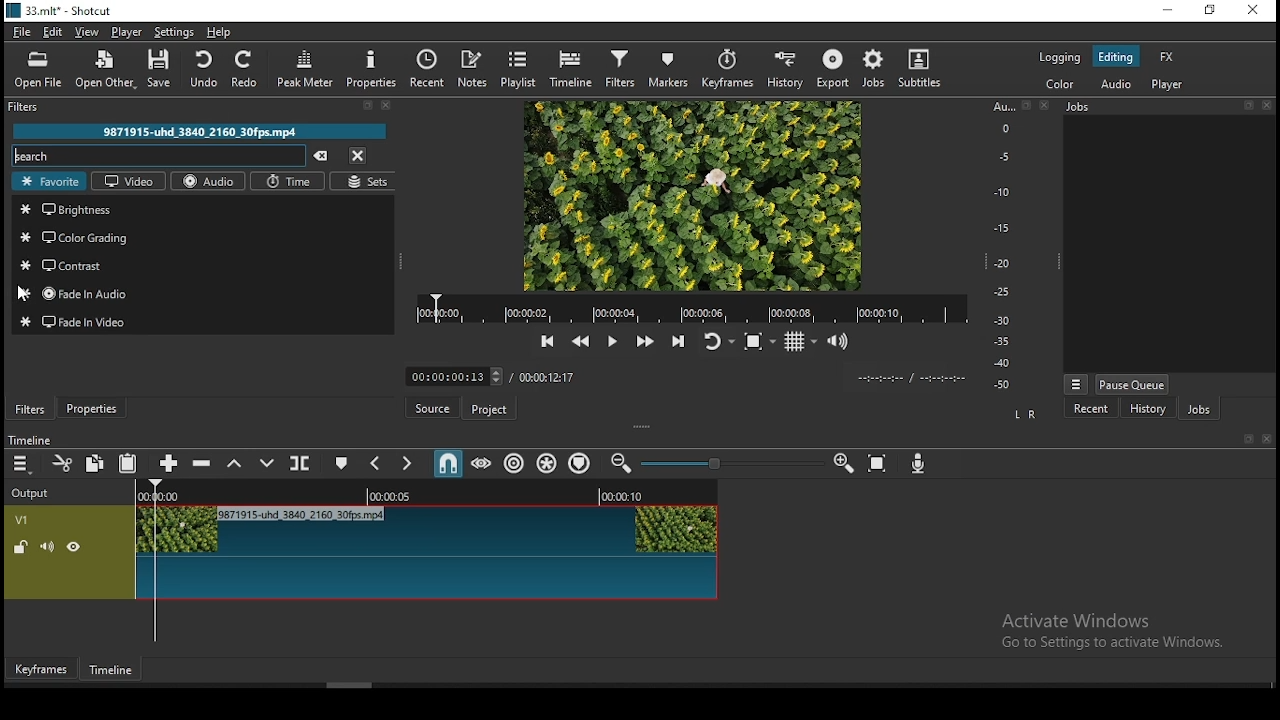 The width and height of the screenshot is (1280, 720). Describe the element at coordinates (15, 12) in the screenshot. I see `logo` at that location.